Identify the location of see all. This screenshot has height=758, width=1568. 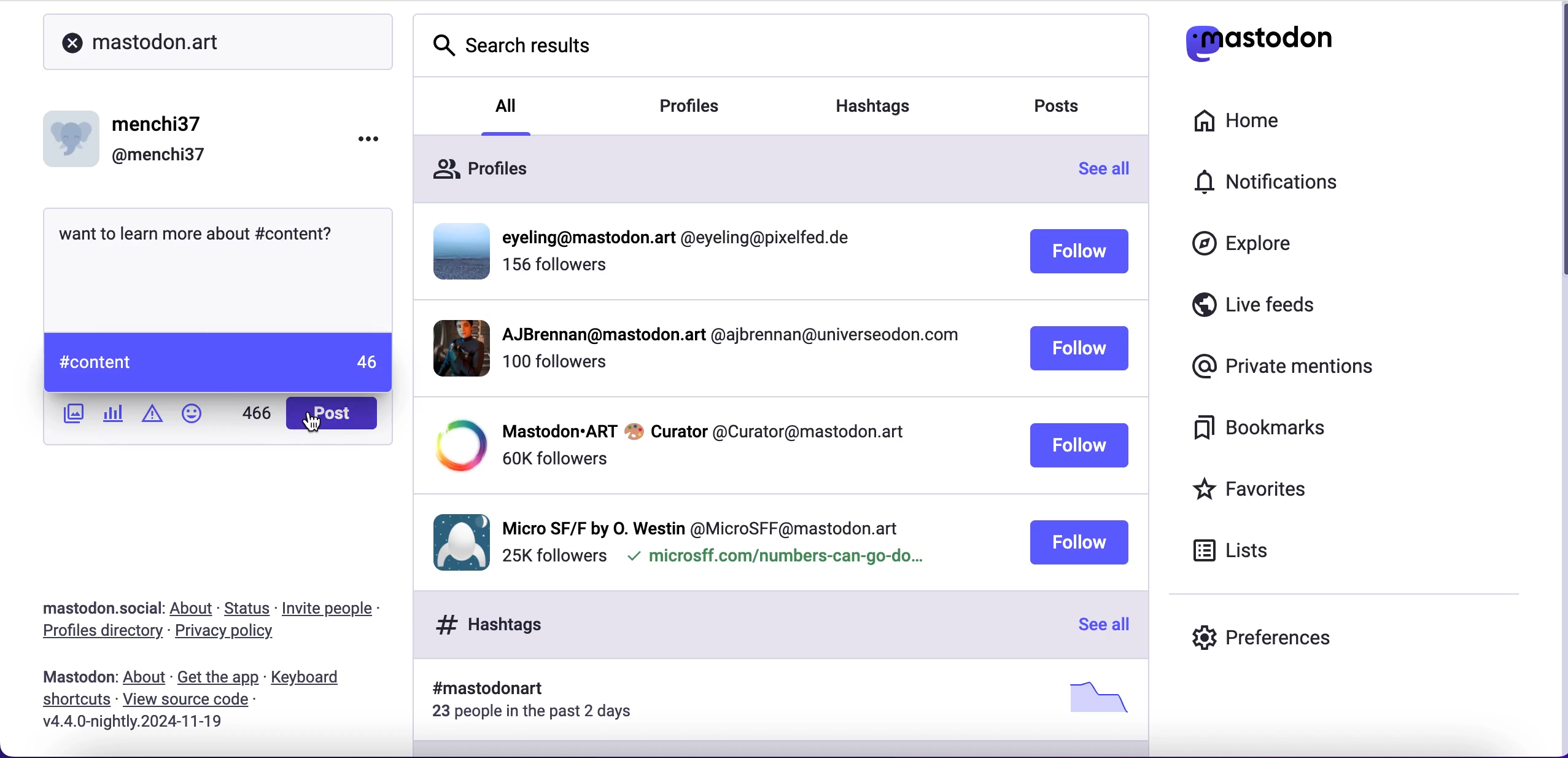
(1101, 626).